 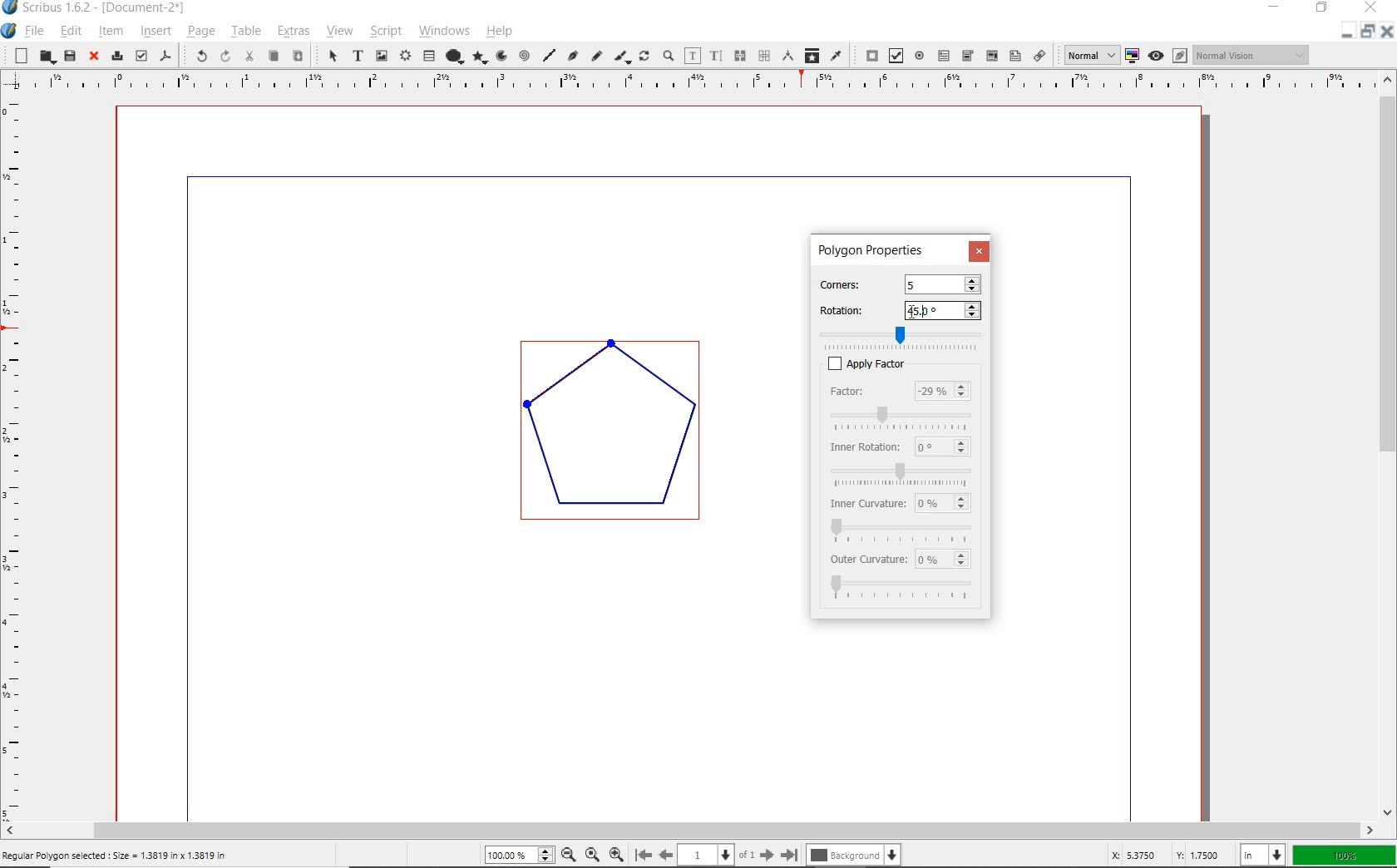 I want to click on slider rotate, so click(x=908, y=334).